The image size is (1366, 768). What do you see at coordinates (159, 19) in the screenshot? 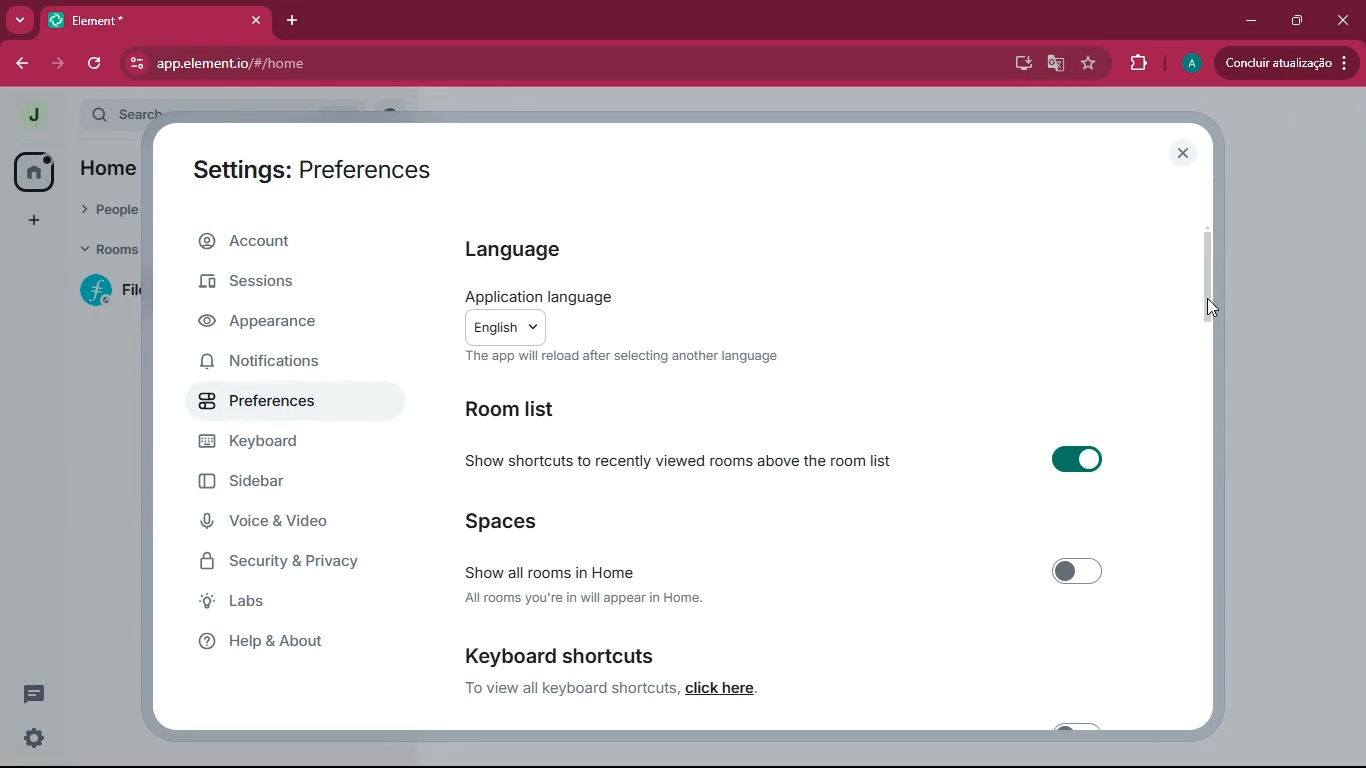
I see `element` at bounding box center [159, 19].